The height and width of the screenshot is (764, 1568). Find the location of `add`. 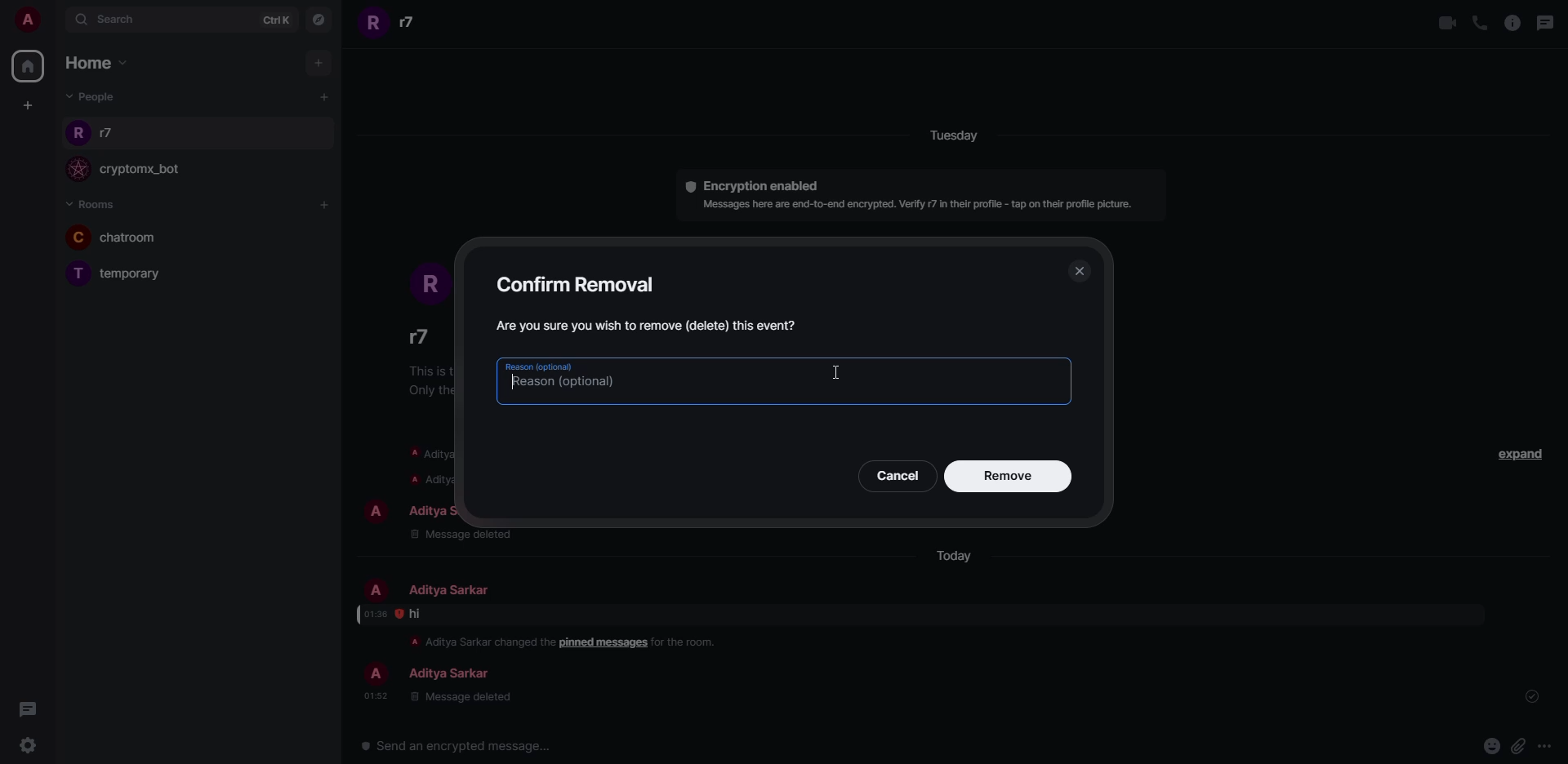

add is located at coordinates (323, 204).